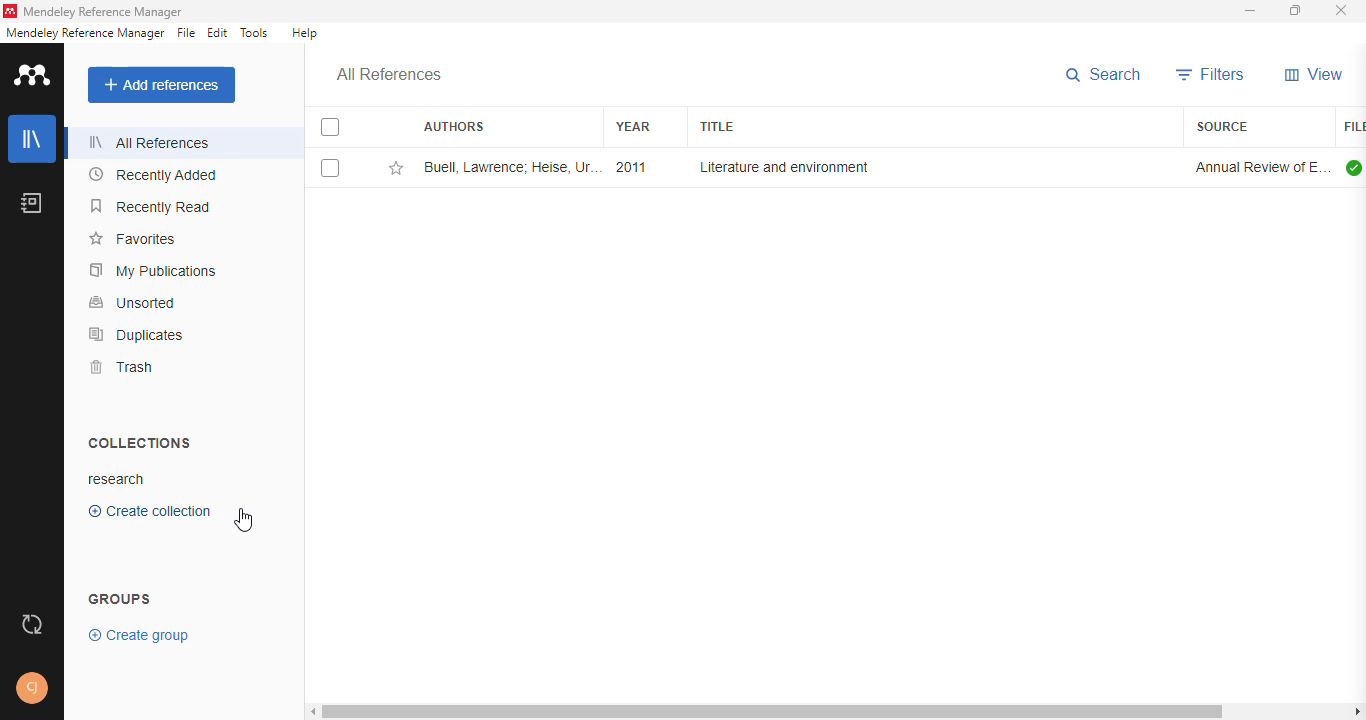 This screenshot has width=1366, height=720. What do you see at coordinates (396, 168) in the screenshot?
I see `add this reference to favorites` at bounding box center [396, 168].